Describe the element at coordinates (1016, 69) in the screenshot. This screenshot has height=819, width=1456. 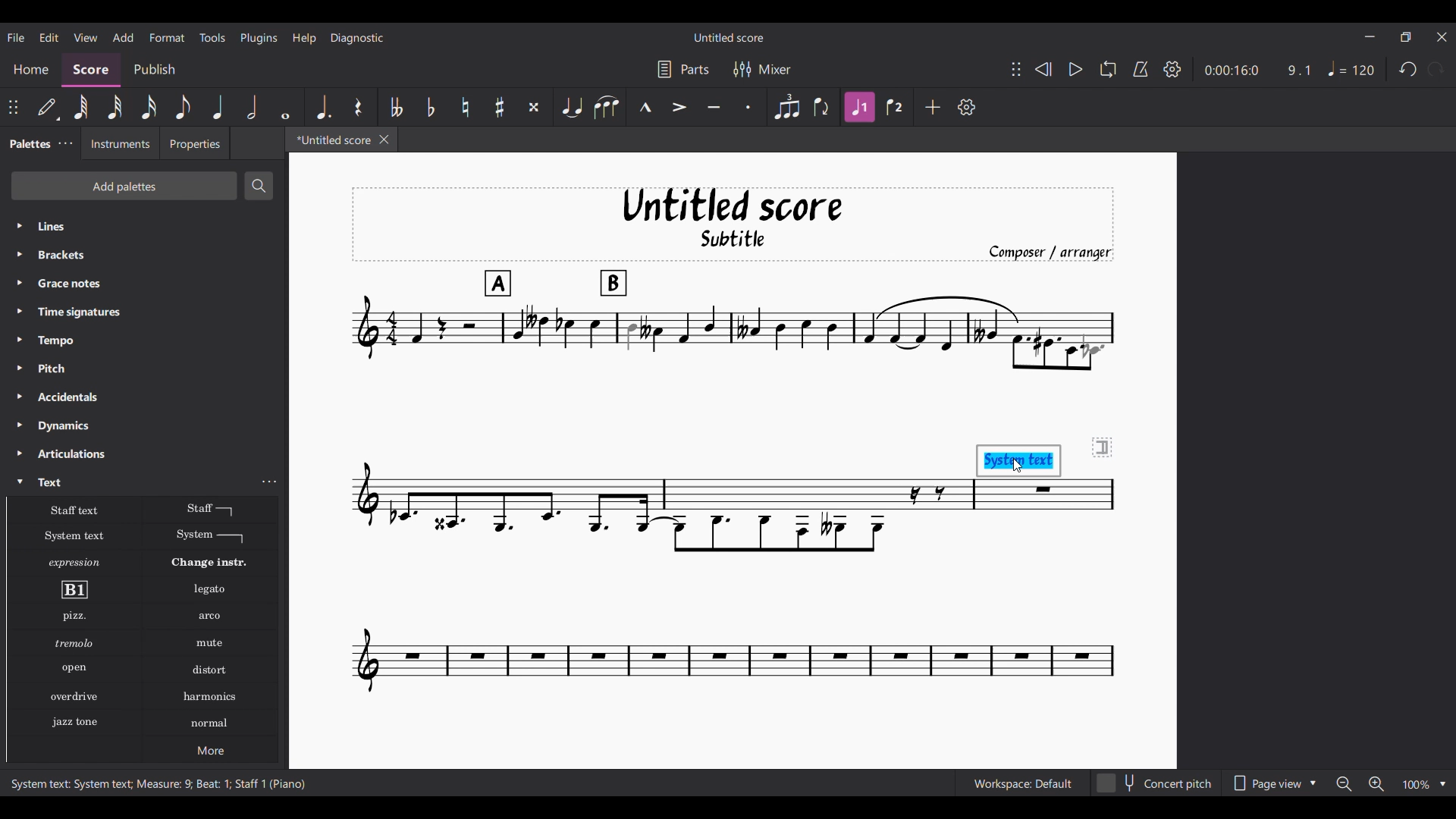
I see `Change position` at that location.